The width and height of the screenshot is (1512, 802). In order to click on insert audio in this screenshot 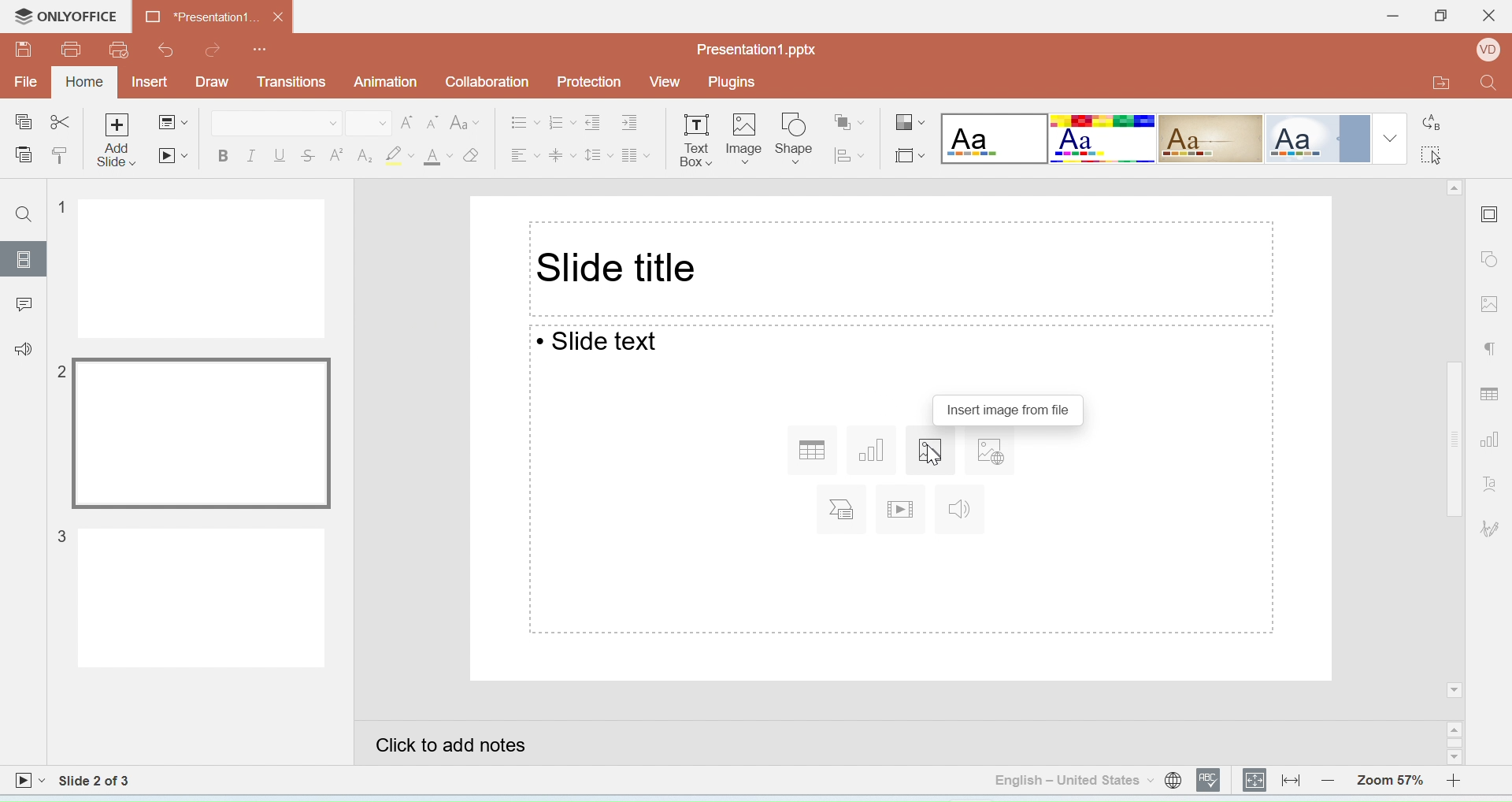, I will do `click(962, 510)`.